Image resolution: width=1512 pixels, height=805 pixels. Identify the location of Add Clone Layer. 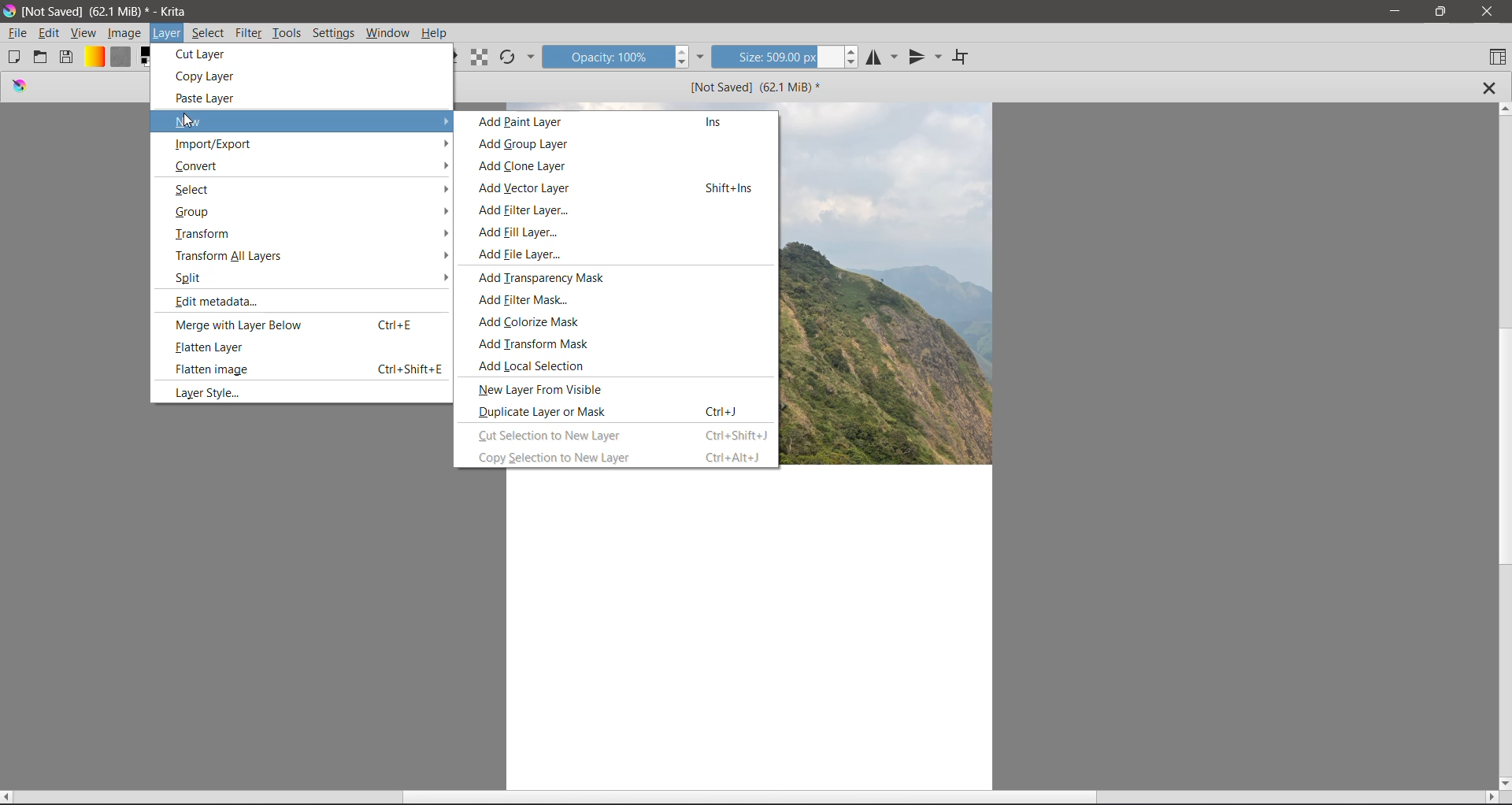
(528, 168).